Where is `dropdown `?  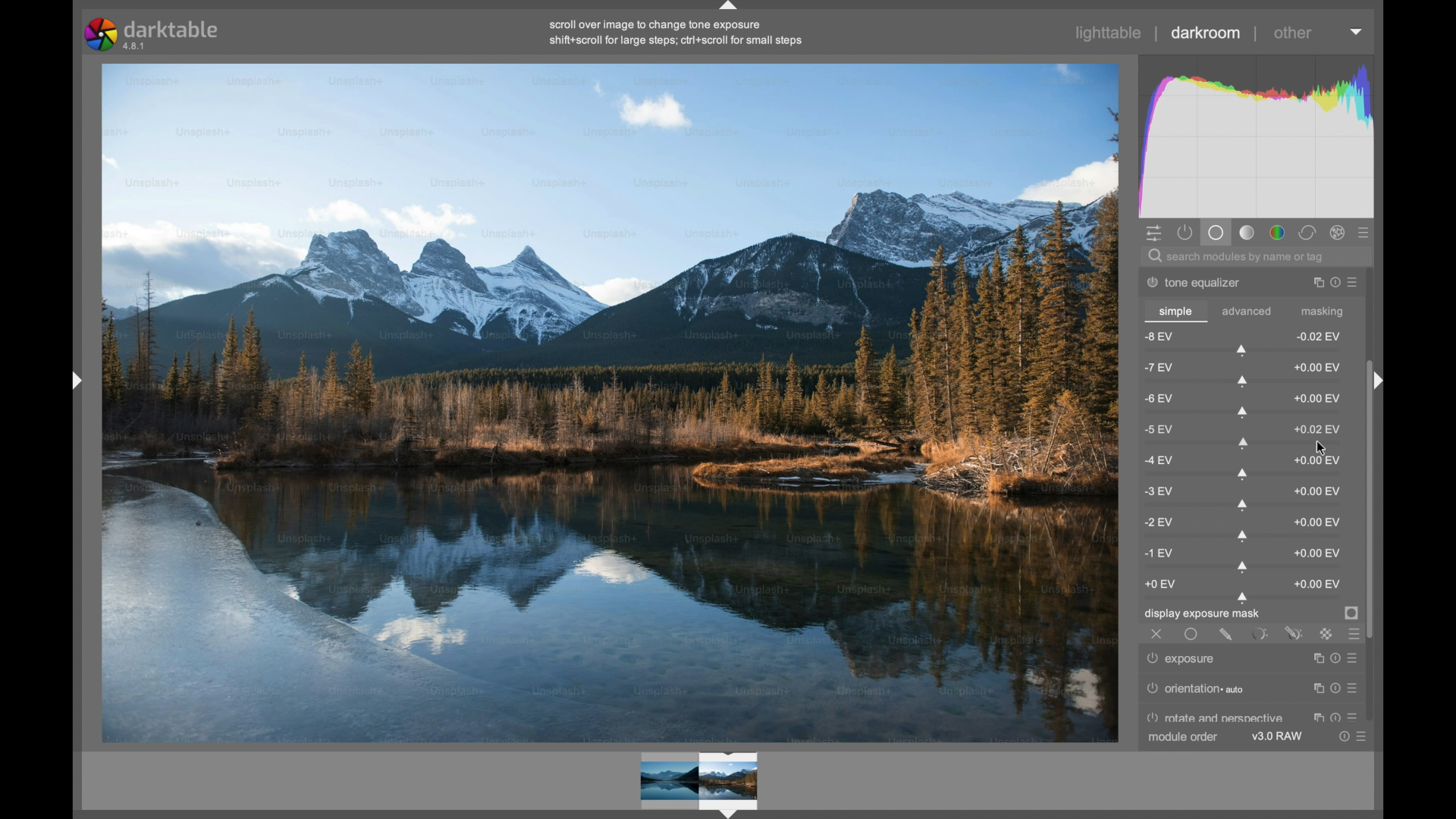
dropdown  is located at coordinates (1358, 30).